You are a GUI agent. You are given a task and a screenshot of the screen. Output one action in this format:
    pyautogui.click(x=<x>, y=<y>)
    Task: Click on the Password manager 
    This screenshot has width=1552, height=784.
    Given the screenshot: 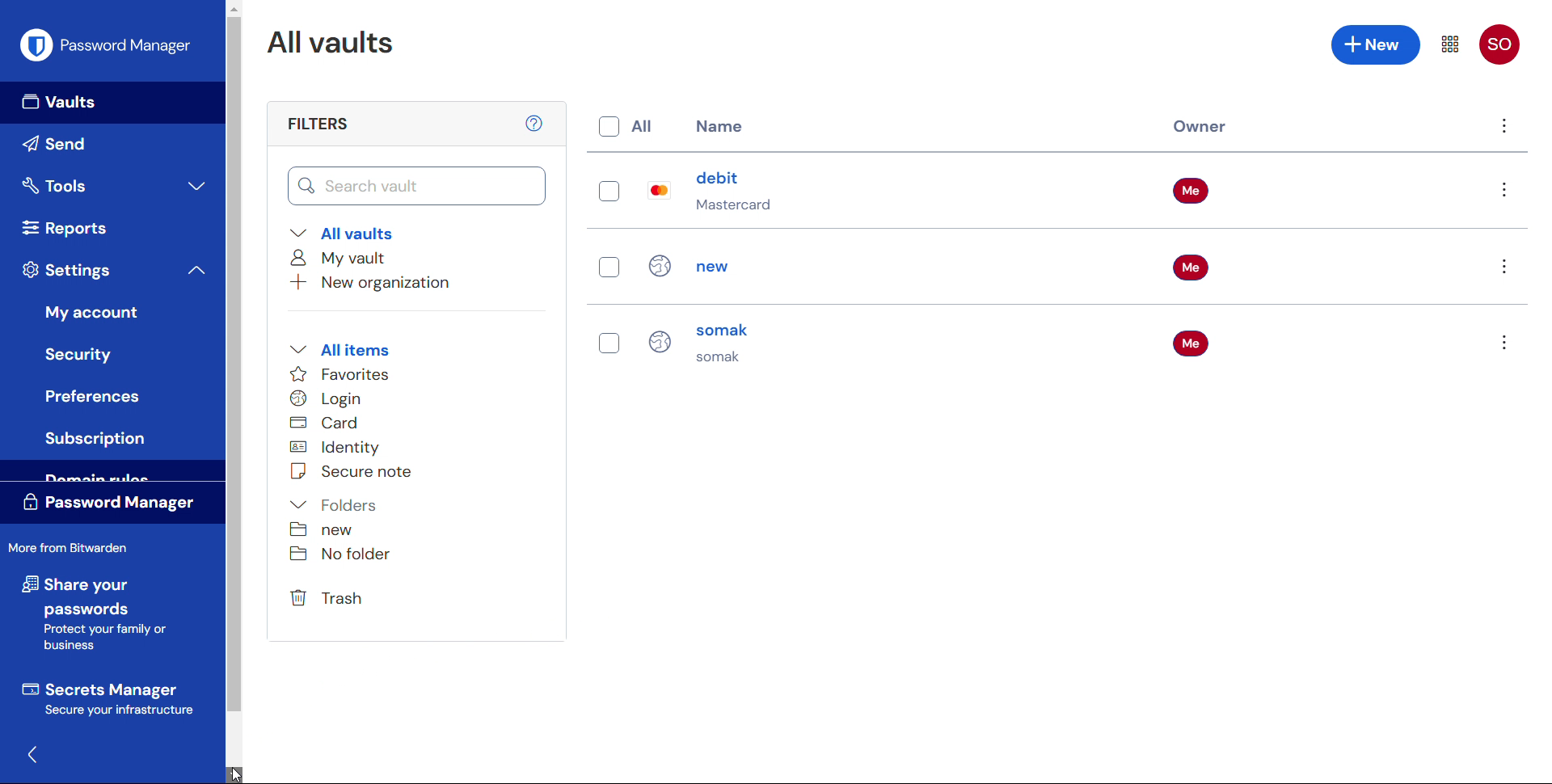 What is the action you would take?
    pyautogui.click(x=113, y=504)
    